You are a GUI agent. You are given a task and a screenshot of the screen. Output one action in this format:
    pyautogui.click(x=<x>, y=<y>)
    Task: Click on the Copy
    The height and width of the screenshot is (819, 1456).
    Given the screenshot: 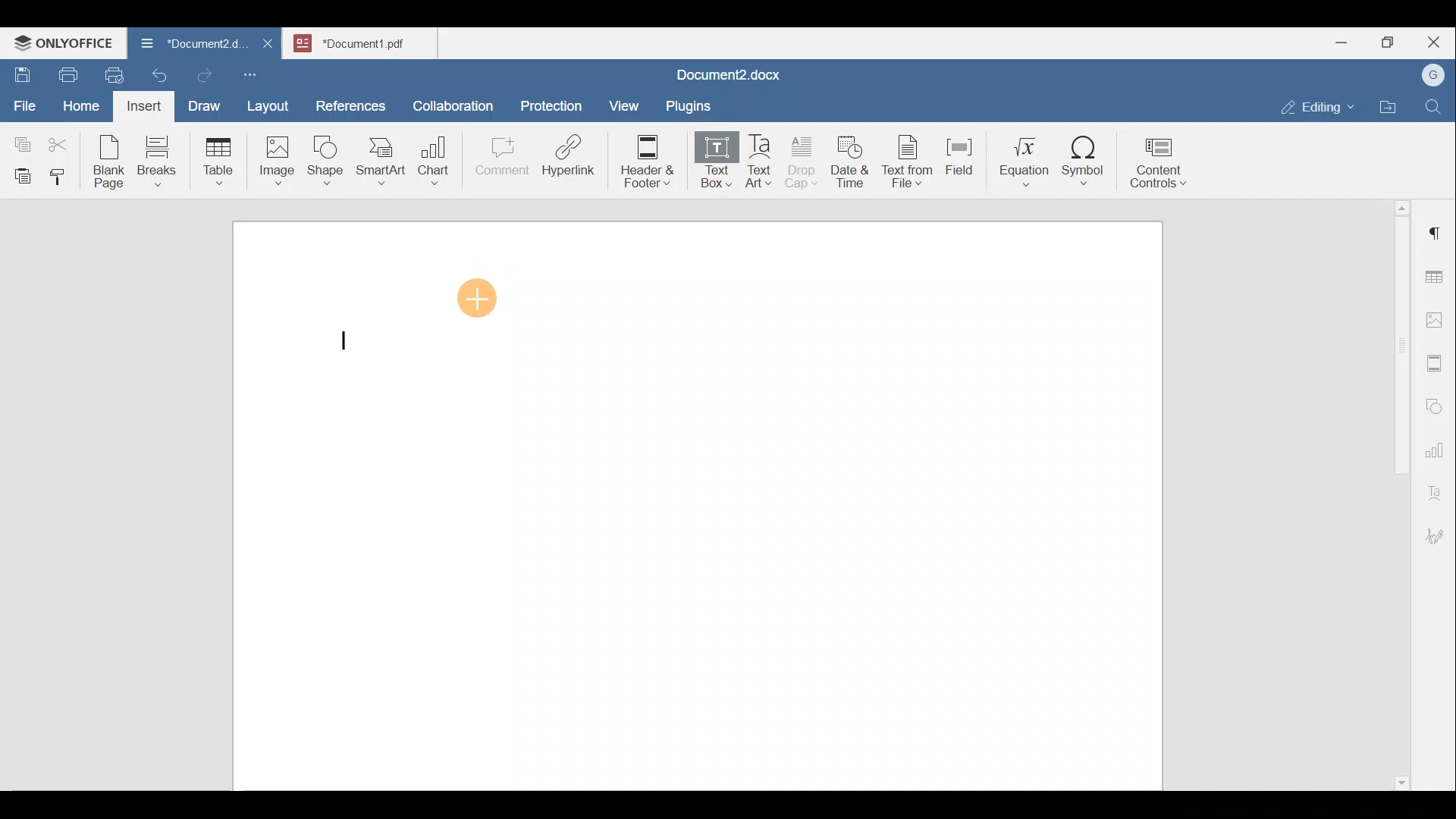 What is the action you would take?
    pyautogui.click(x=20, y=140)
    